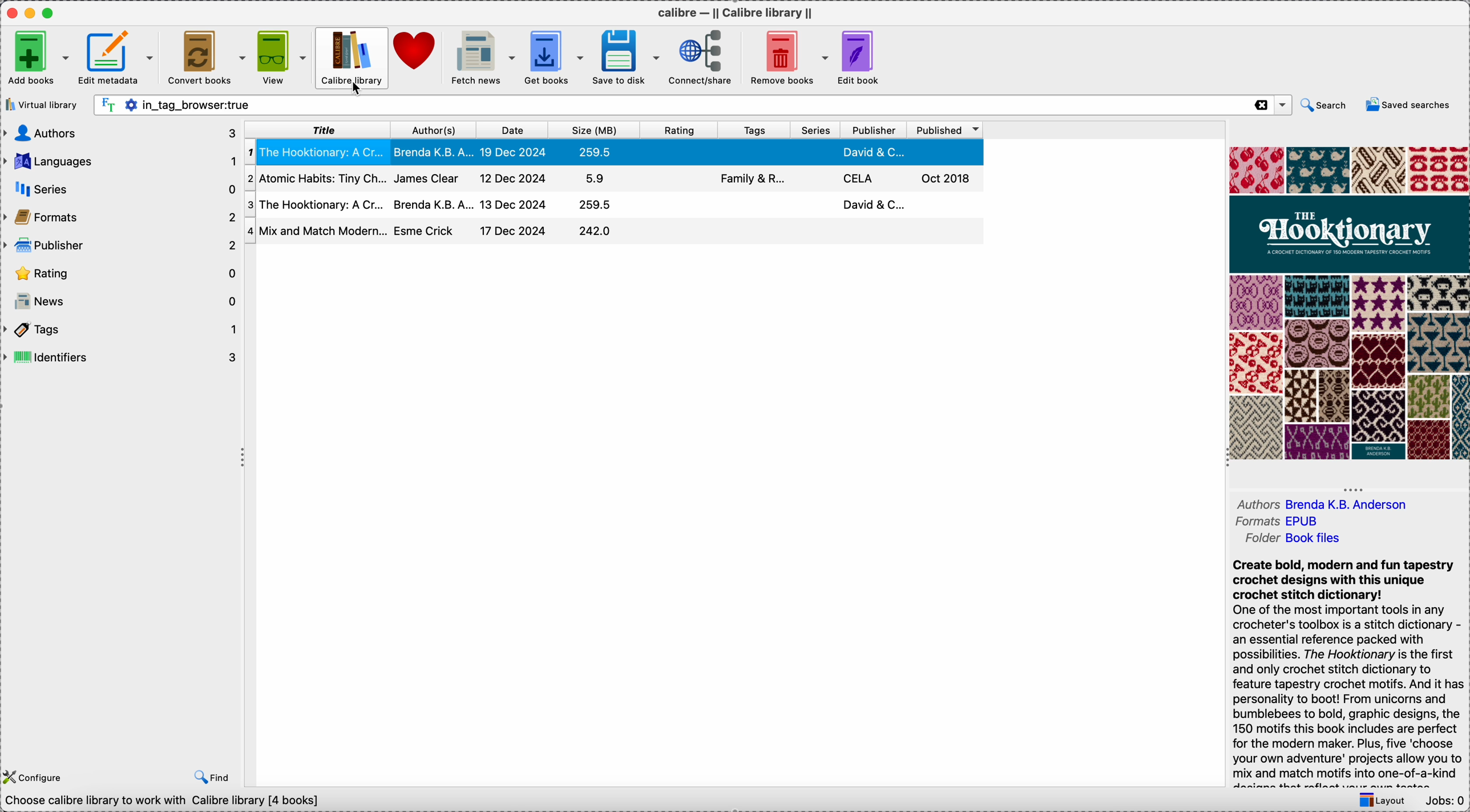  What do you see at coordinates (9, 13) in the screenshot?
I see `close app` at bounding box center [9, 13].